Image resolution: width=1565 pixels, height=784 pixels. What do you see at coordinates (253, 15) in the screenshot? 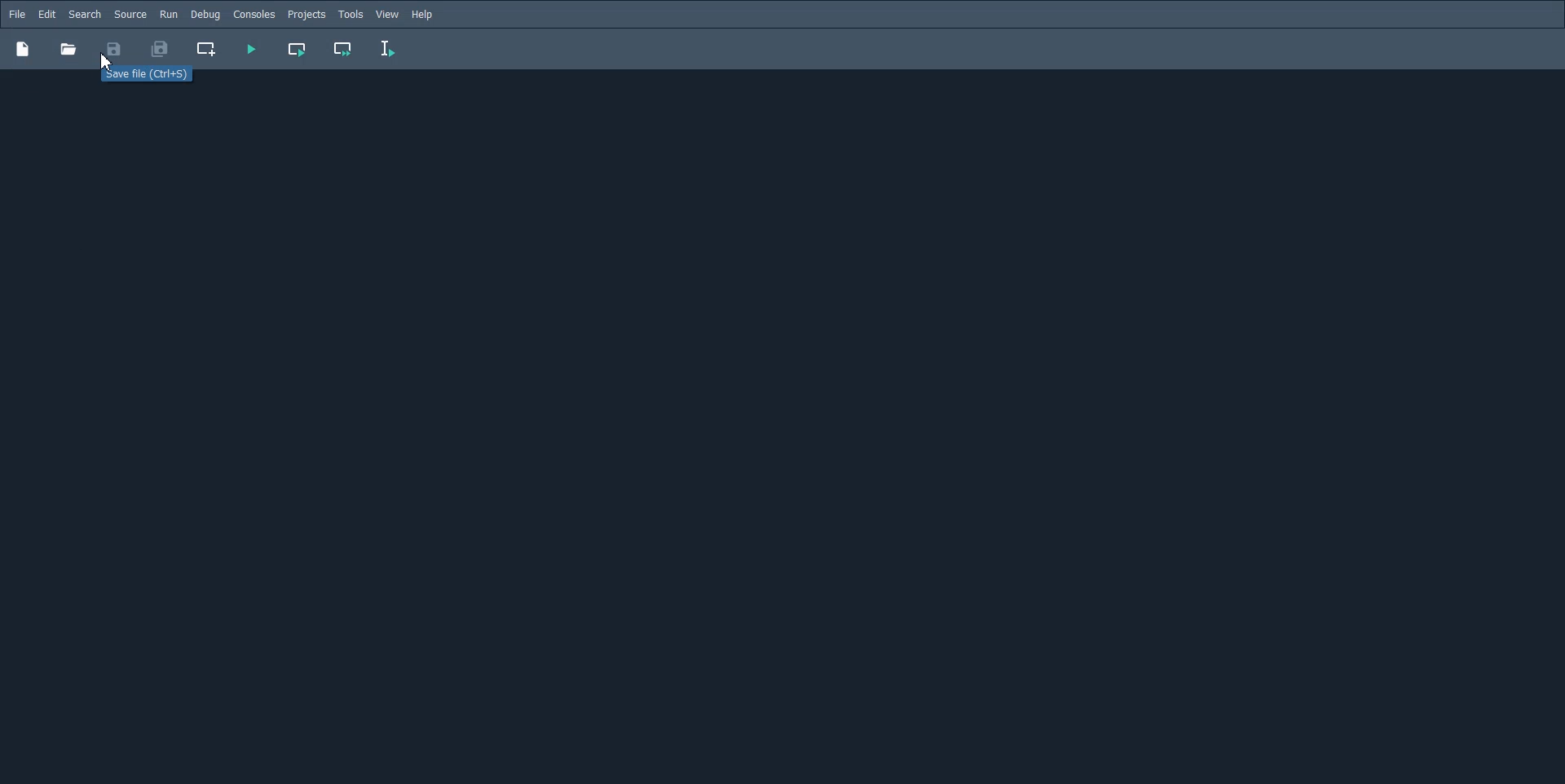
I see `Console` at bounding box center [253, 15].